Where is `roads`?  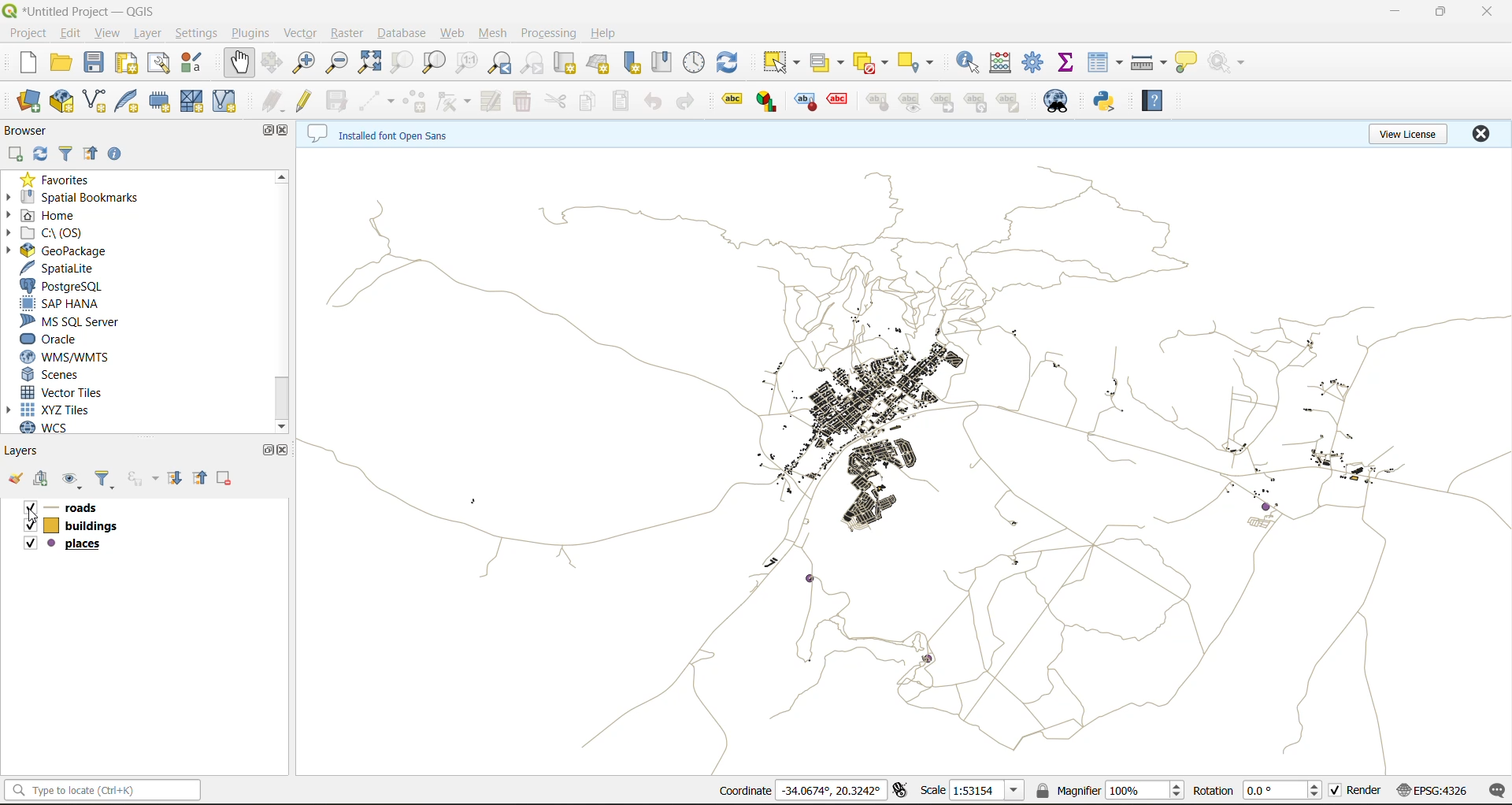
roads is located at coordinates (89, 508).